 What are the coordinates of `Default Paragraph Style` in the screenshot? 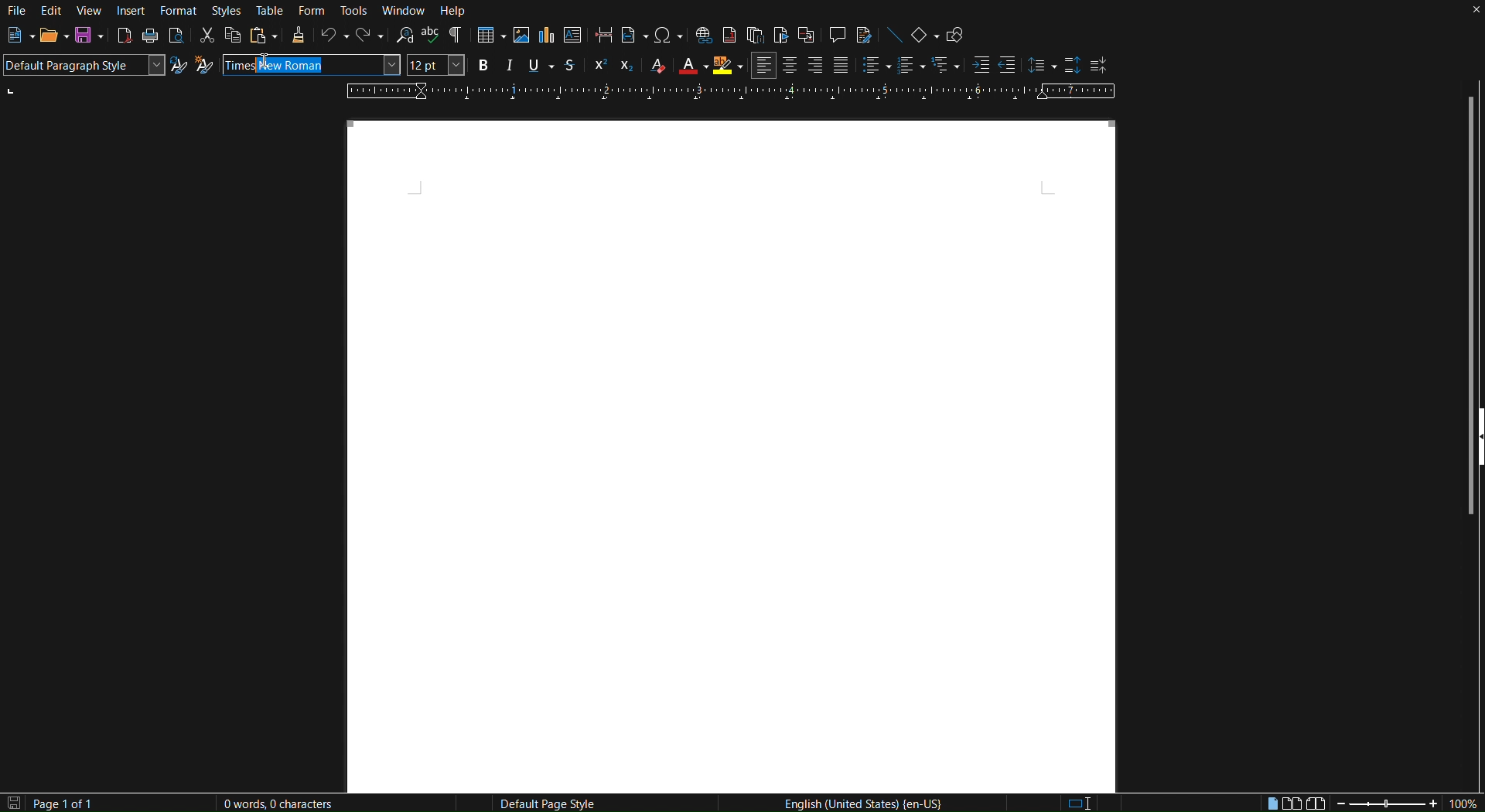 It's located at (80, 65).